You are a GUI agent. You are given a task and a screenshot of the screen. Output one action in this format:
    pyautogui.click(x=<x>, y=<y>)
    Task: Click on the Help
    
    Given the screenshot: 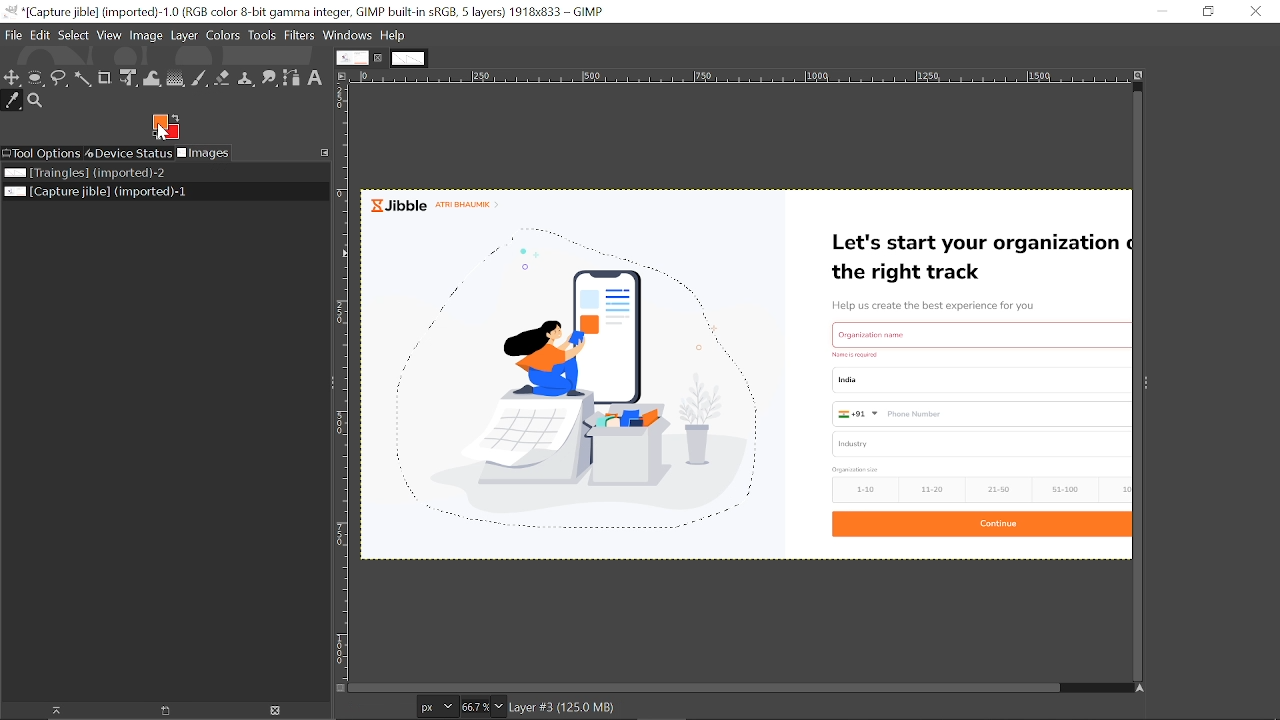 What is the action you would take?
    pyautogui.click(x=393, y=36)
    